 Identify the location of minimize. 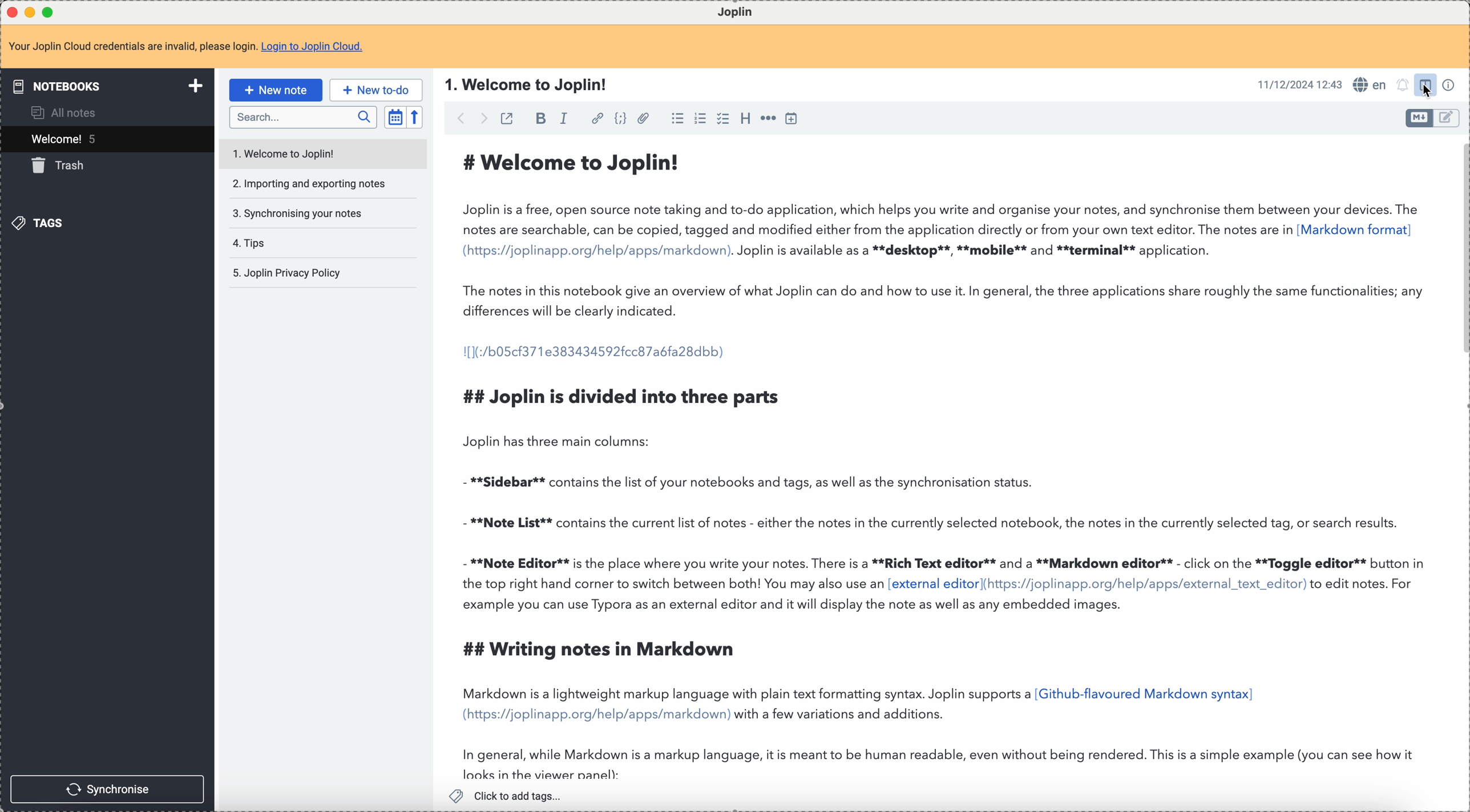
(30, 11).